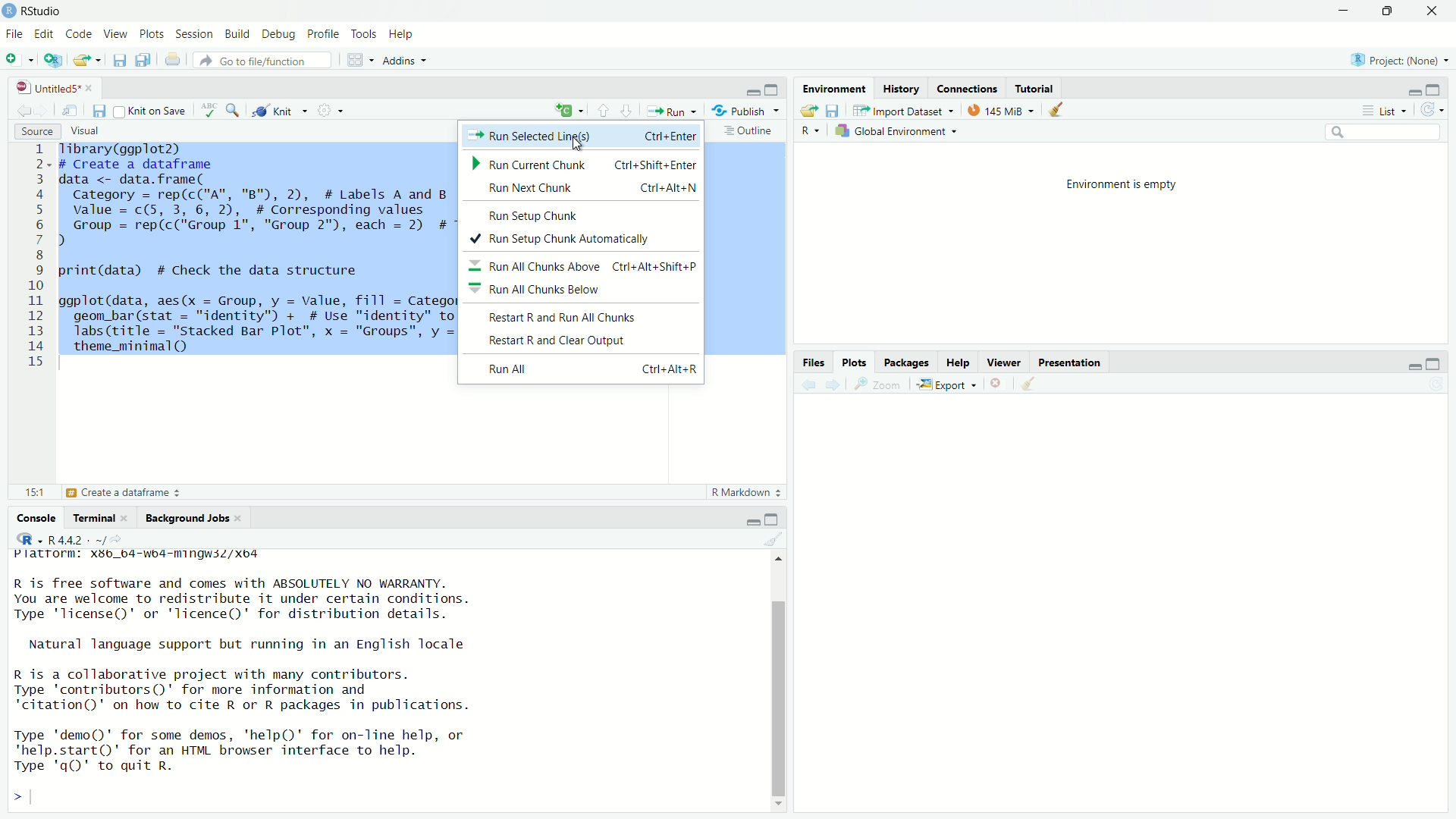 This screenshot has height=819, width=1456. I want to click on kib used by R session (Source: Windows System), so click(1001, 109).